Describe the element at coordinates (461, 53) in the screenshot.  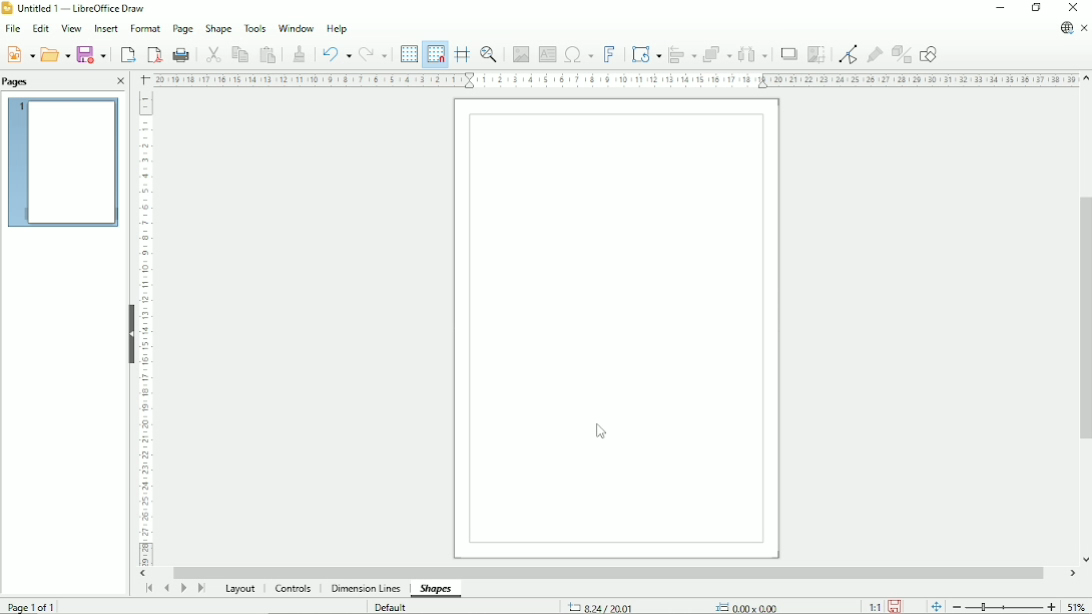
I see `Helplines while moving` at that location.